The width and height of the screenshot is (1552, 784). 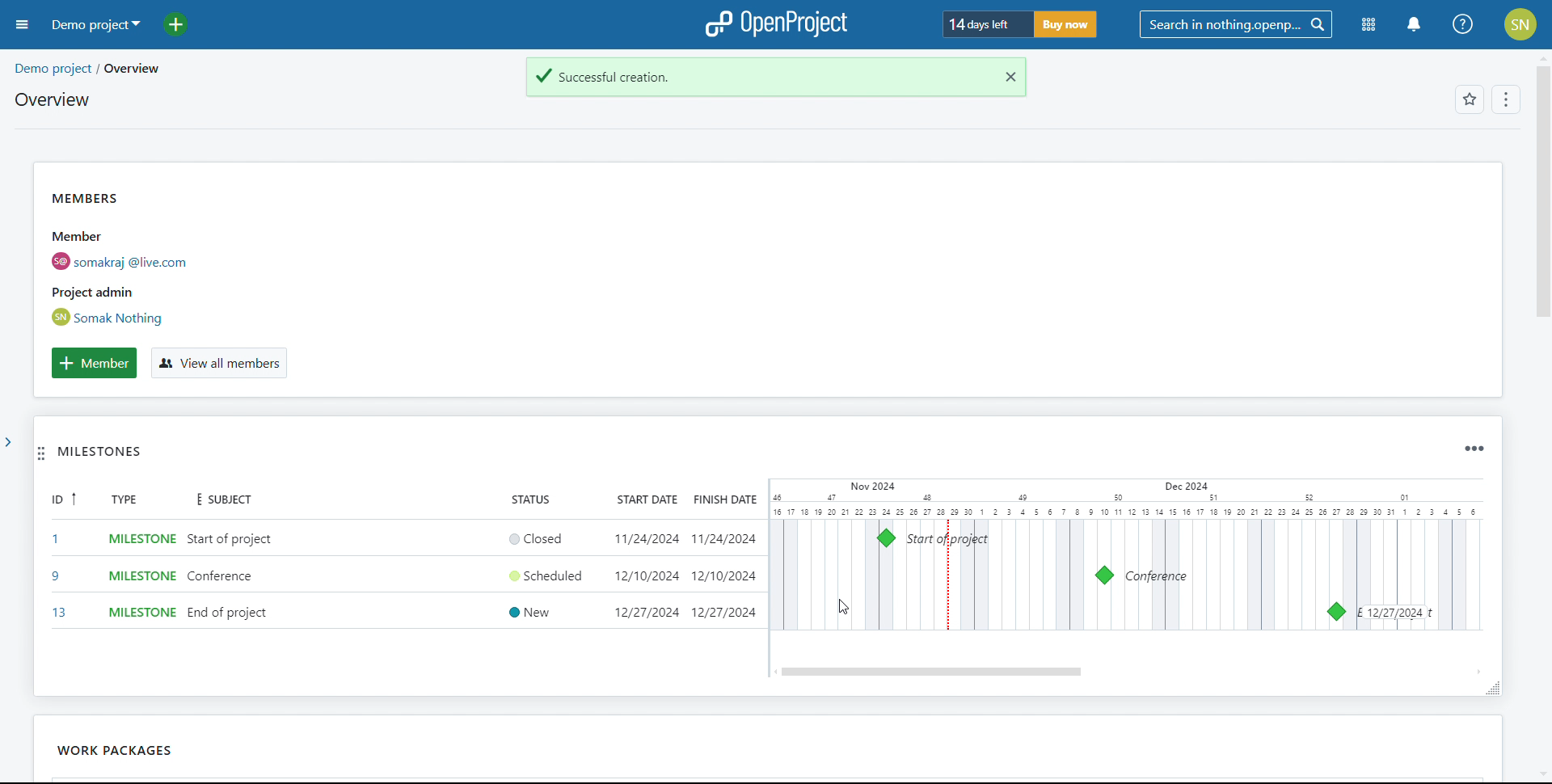 I want to click on type, so click(x=134, y=501).